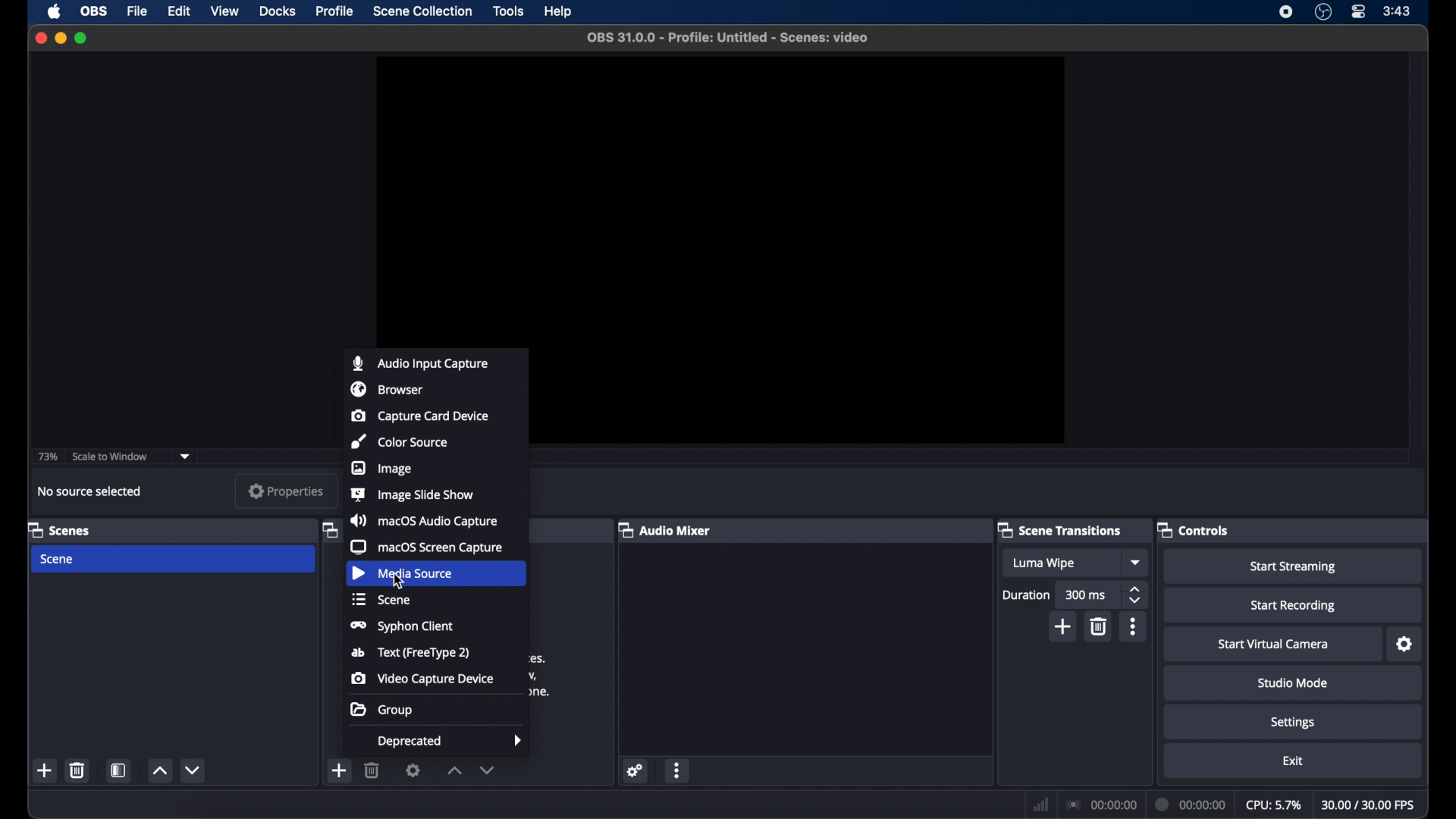  I want to click on minimize, so click(60, 37).